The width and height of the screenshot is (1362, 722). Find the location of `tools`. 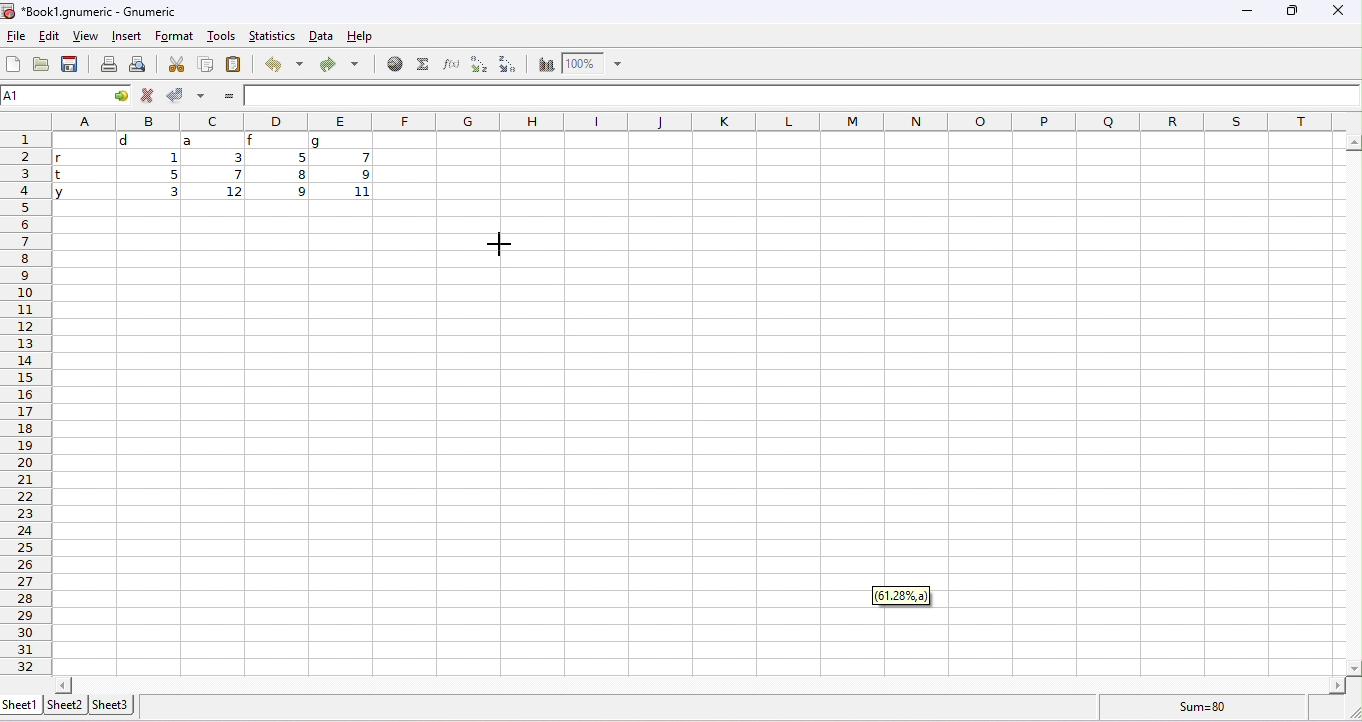

tools is located at coordinates (221, 35).